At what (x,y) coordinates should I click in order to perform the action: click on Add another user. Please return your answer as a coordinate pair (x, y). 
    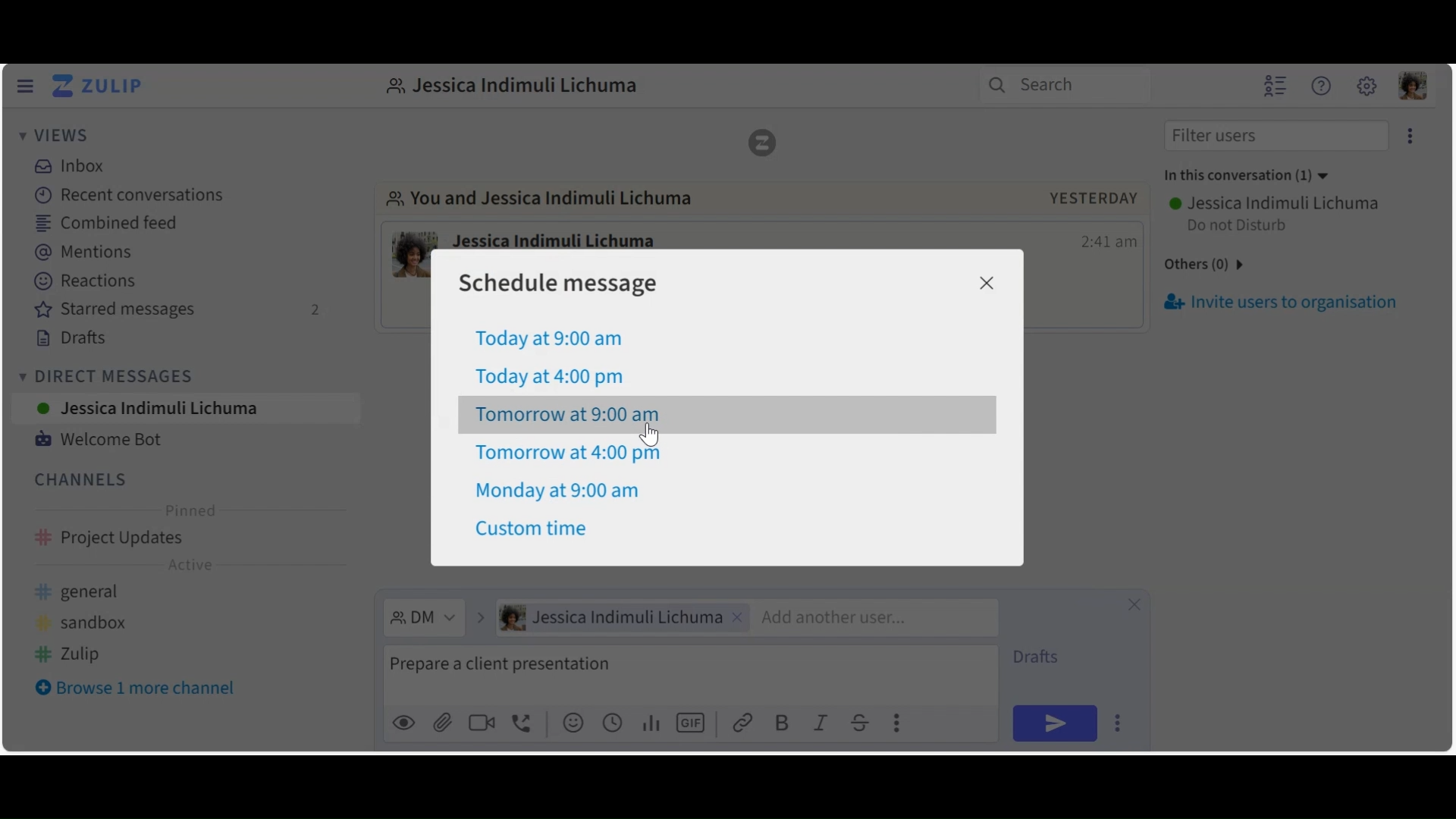
    Looking at the image, I should click on (852, 617).